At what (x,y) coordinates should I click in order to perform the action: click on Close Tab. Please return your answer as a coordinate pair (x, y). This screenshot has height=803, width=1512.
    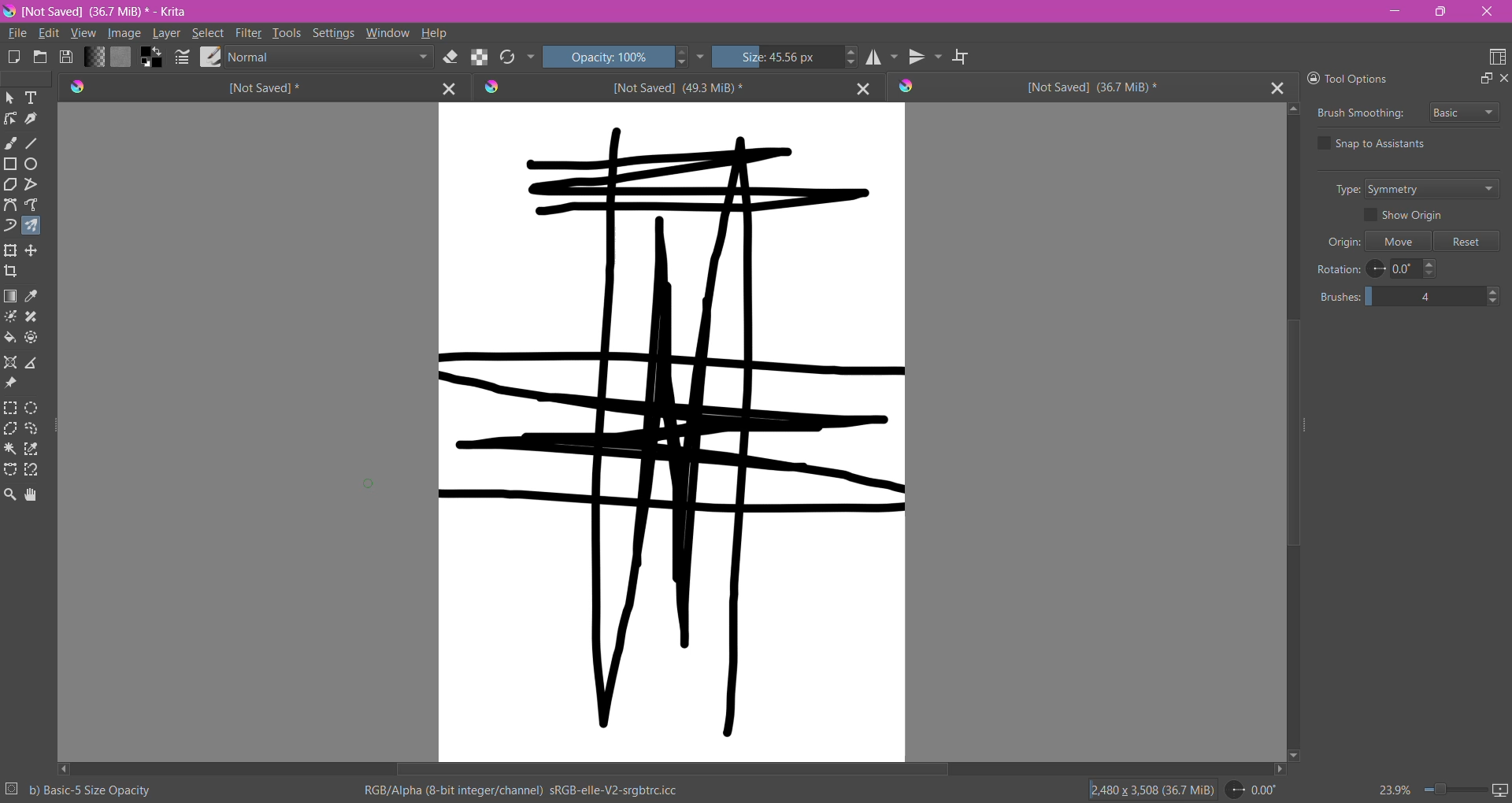
    Looking at the image, I should click on (859, 87).